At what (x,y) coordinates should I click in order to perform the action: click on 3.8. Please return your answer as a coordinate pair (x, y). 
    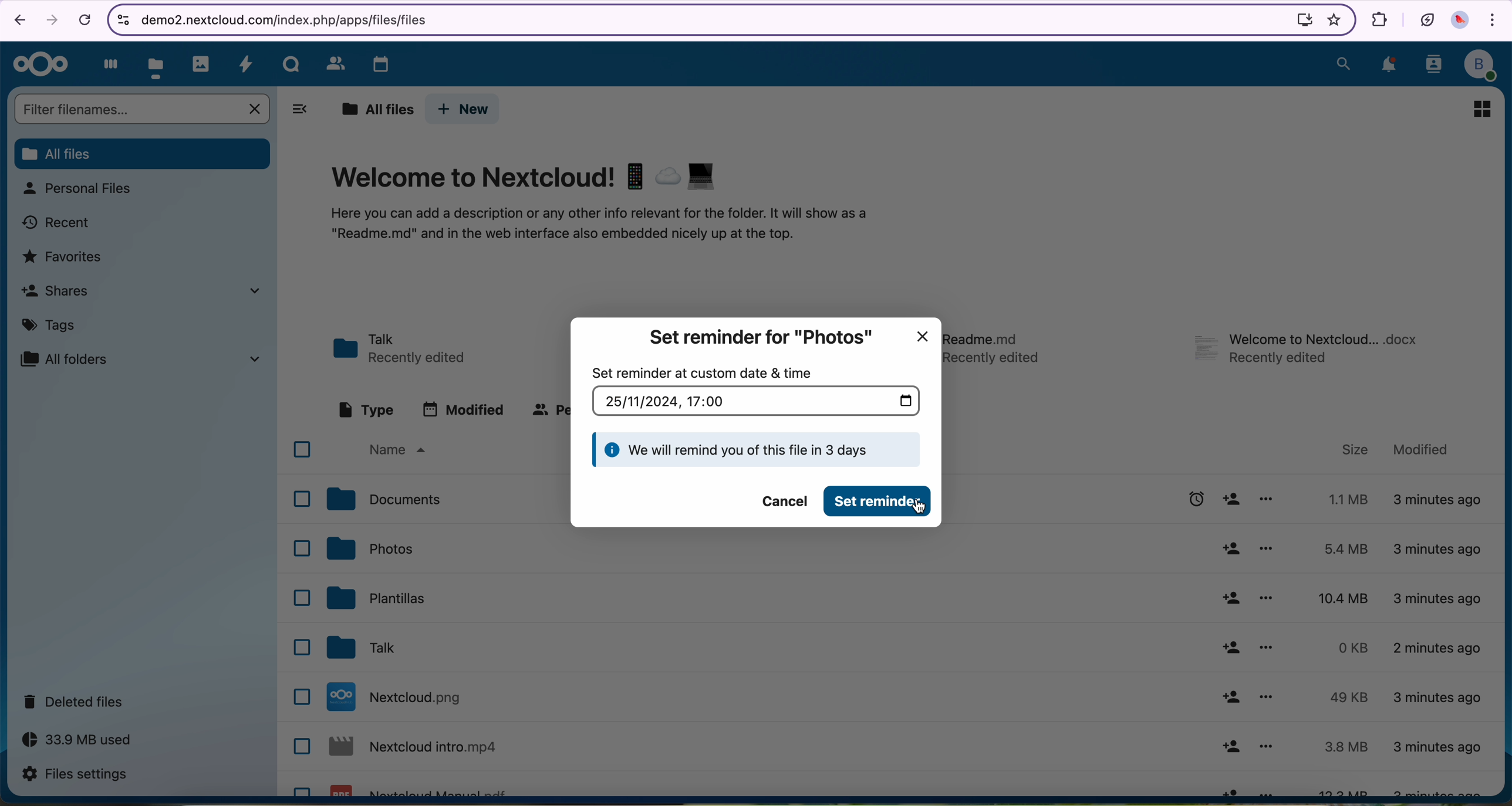
    Looking at the image, I should click on (1346, 747).